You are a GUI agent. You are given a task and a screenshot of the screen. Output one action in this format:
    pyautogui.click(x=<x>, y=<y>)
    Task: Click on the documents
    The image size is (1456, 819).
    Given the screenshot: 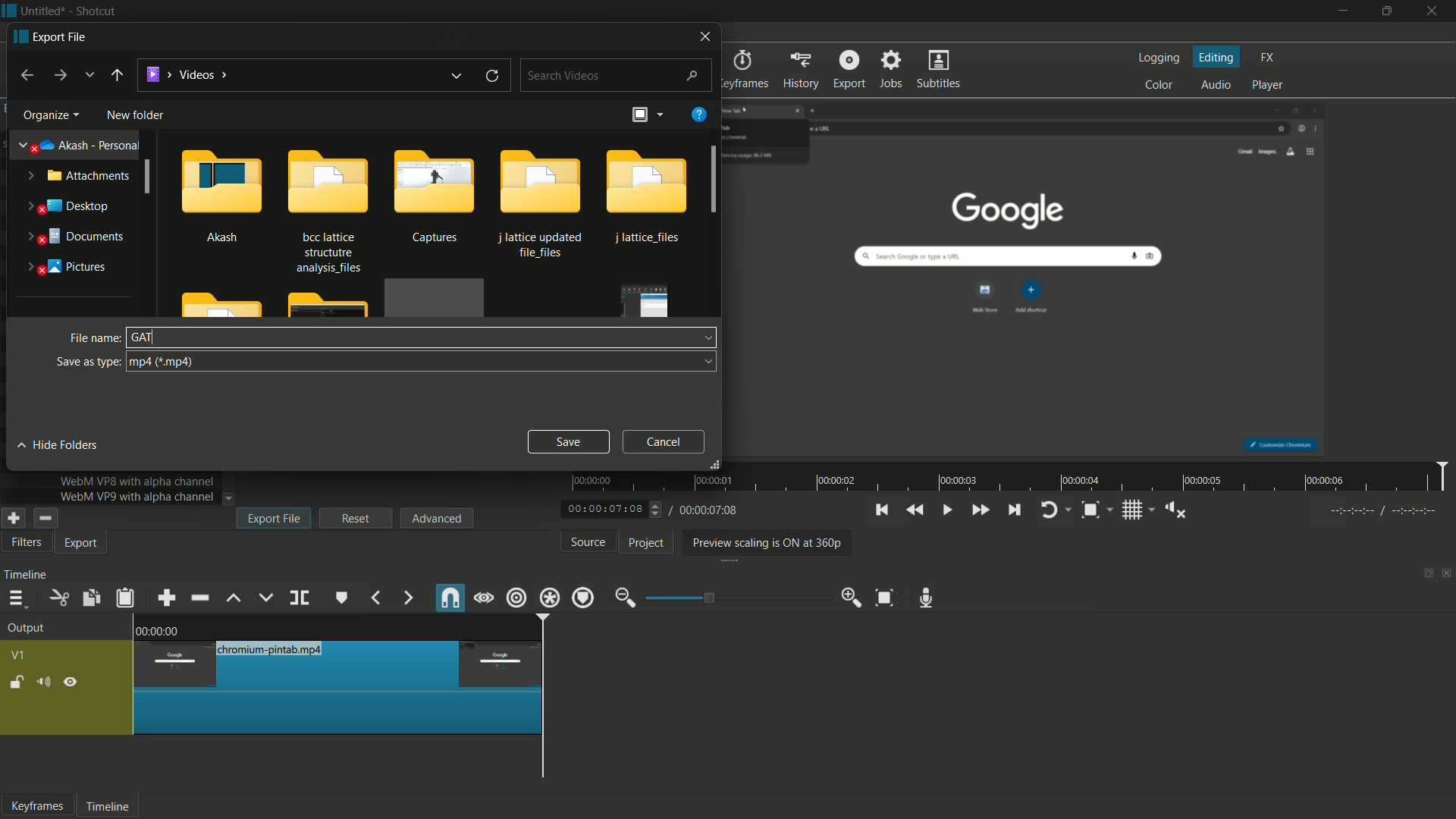 What is the action you would take?
    pyautogui.click(x=72, y=237)
    